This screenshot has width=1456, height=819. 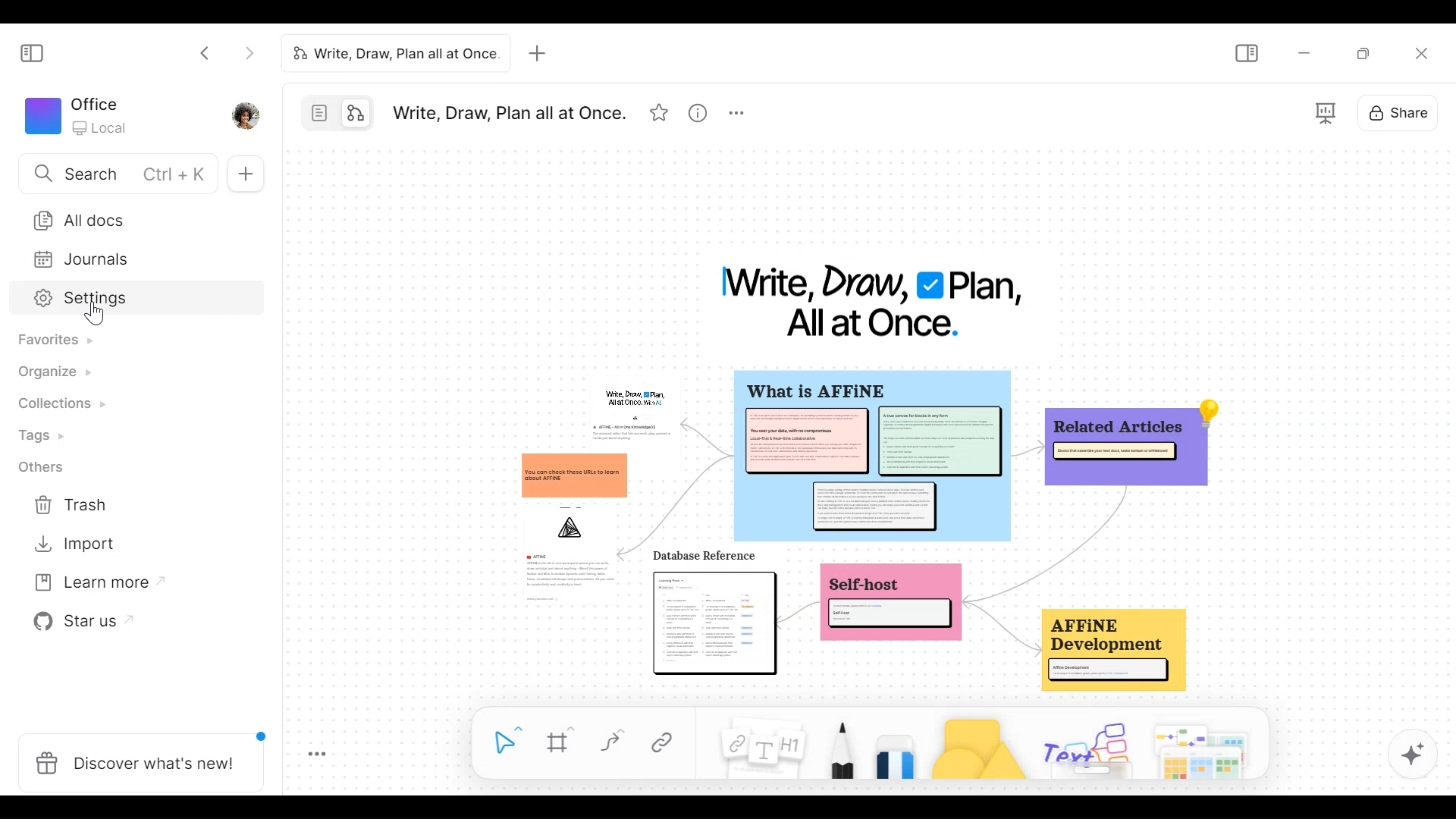 I want to click on cursor, so click(x=97, y=316).